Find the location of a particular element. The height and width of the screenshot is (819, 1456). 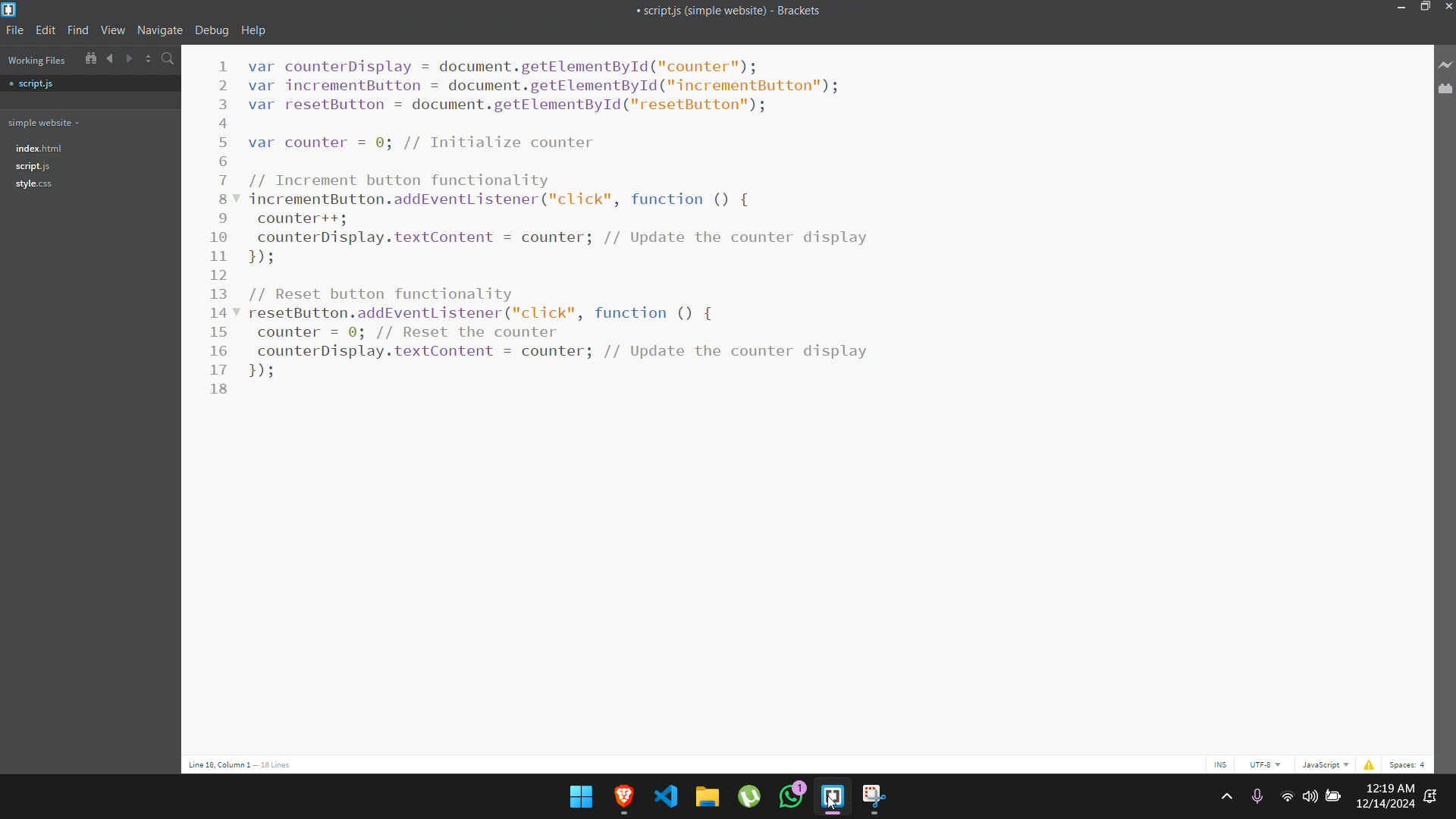

debug is located at coordinates (212, 30).